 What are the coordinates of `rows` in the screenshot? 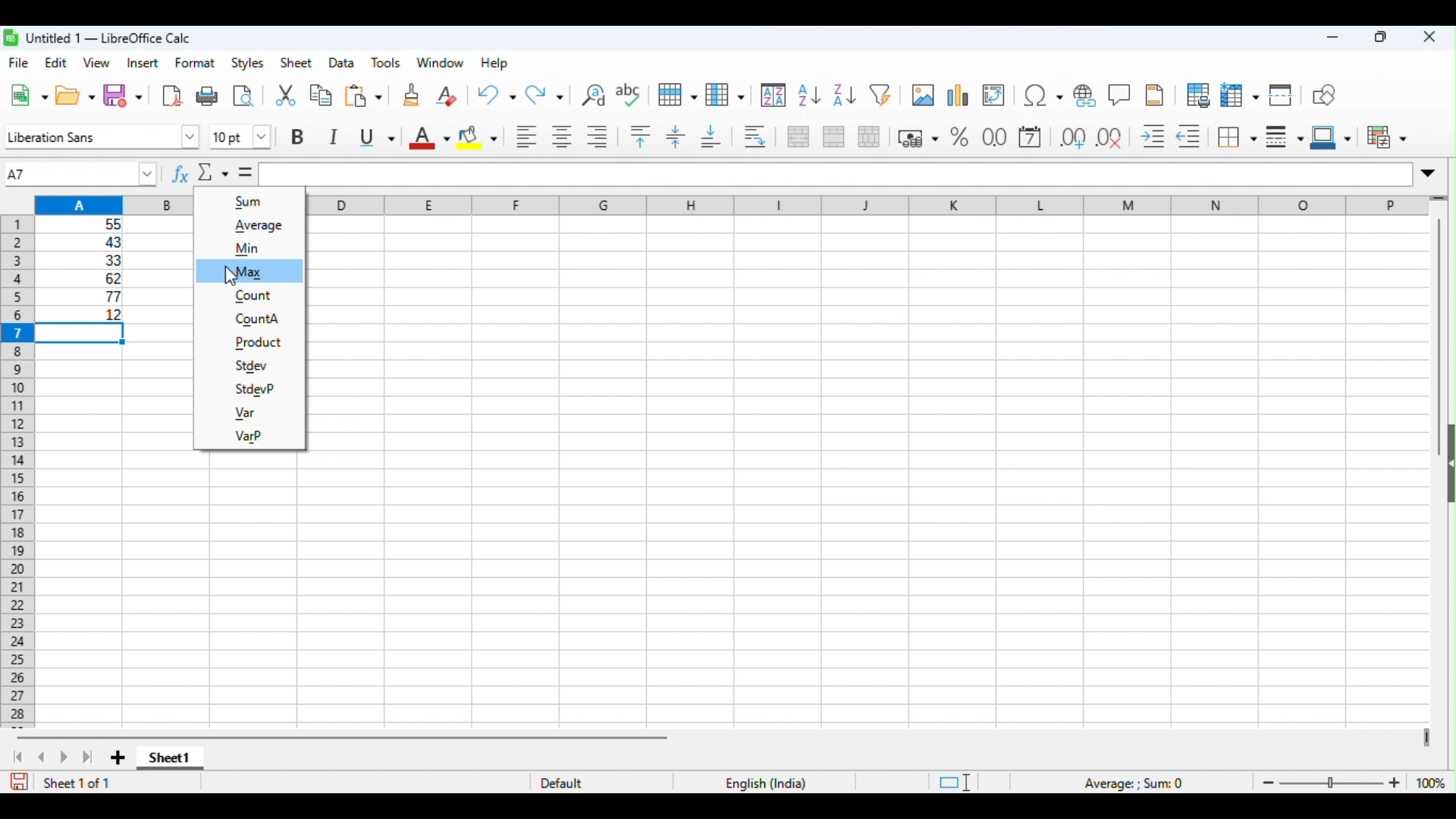 It's located at (678, 96).